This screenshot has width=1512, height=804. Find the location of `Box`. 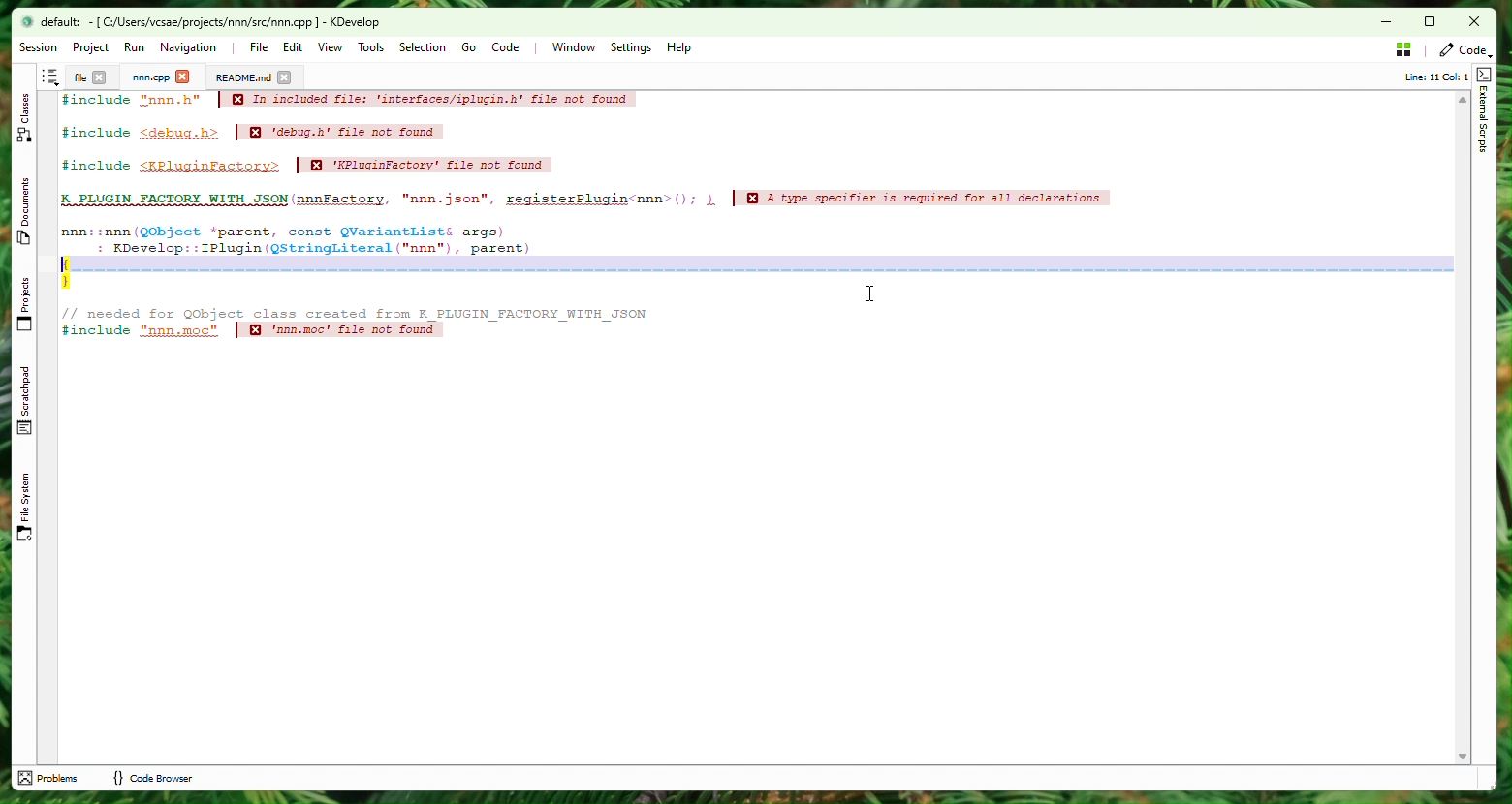

Box is located at coordinates (1436, 21).